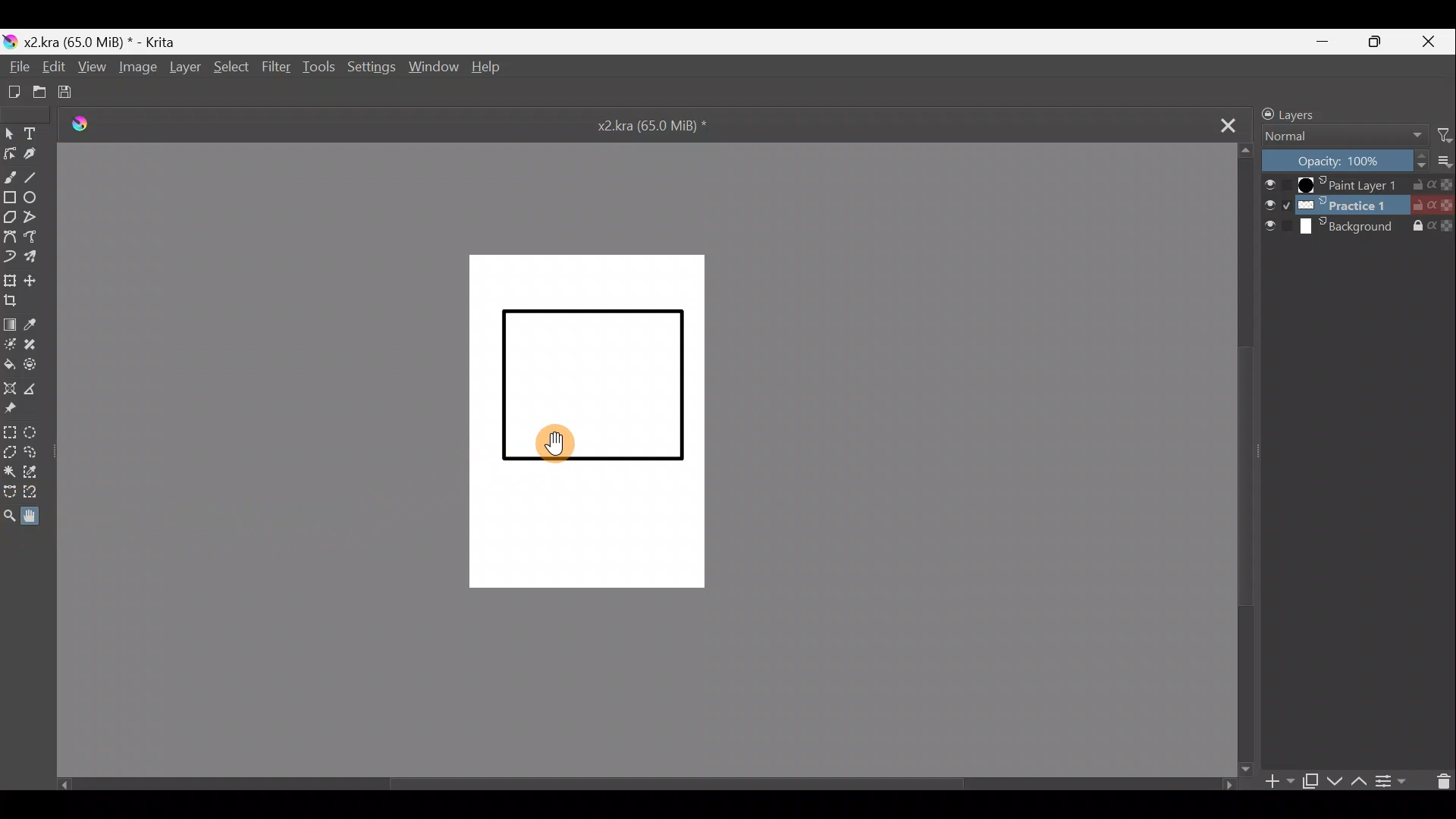 Image resolution: width=1456 pixels, height=819 pixels. What do you see at coordinates (1332, 781) in the screenshot?
I see `Move layer/mask down` at bounding box center [1332, 781].